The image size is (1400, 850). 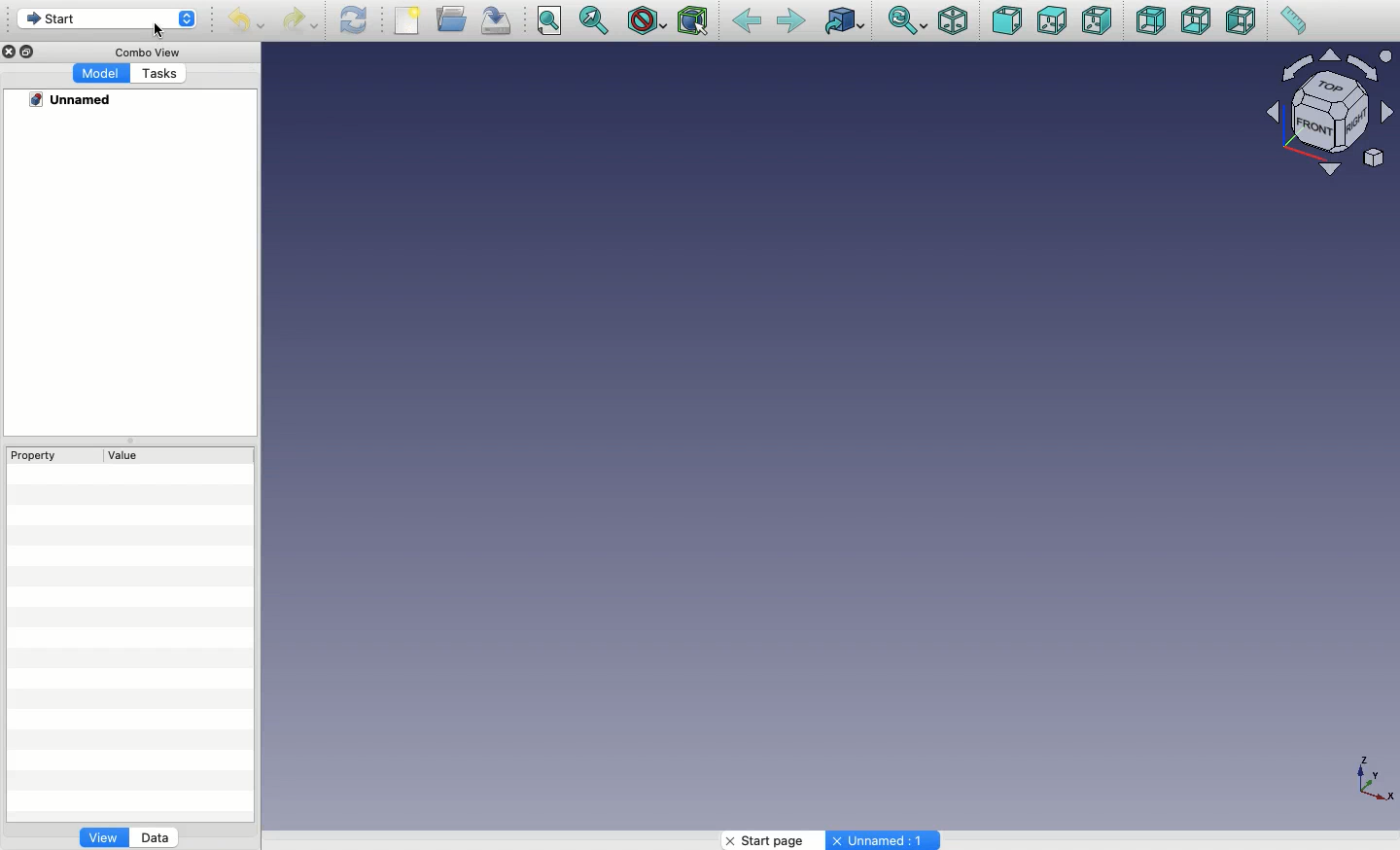 I want to click on Unnamed, so click(x=885, y=841).